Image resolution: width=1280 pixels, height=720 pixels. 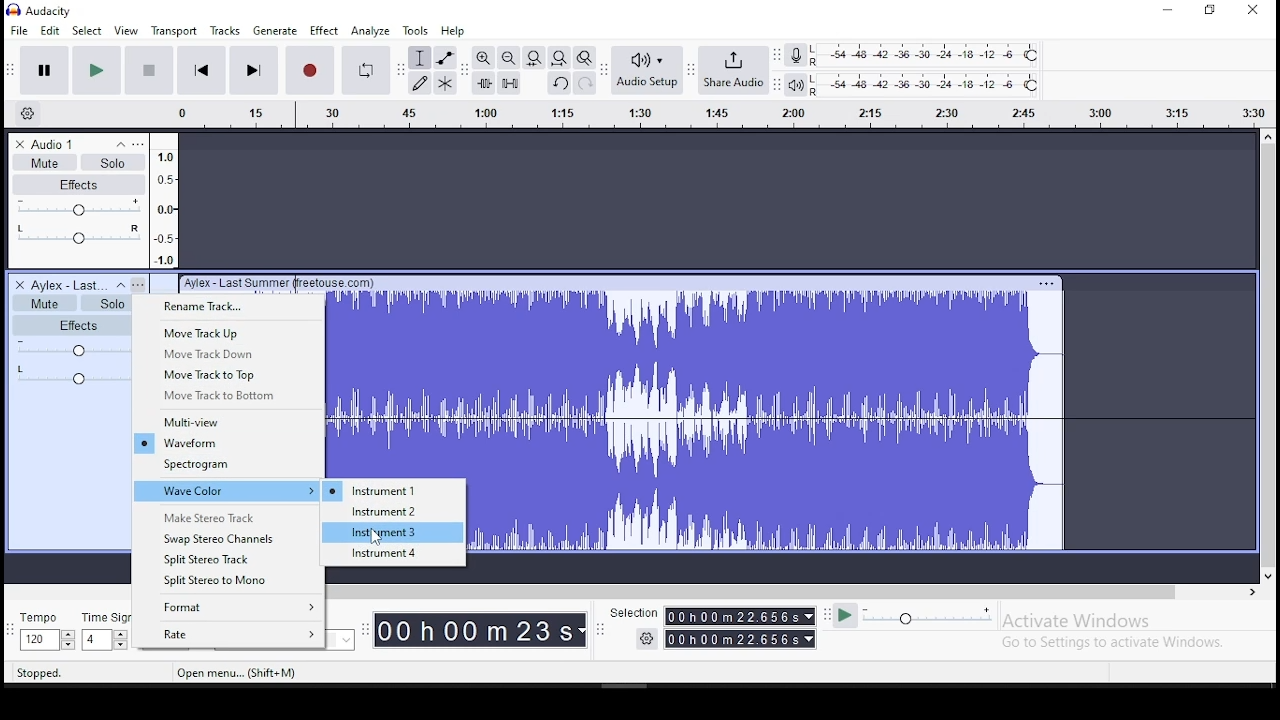 I want to click on undo, so click(x=559, y=82).